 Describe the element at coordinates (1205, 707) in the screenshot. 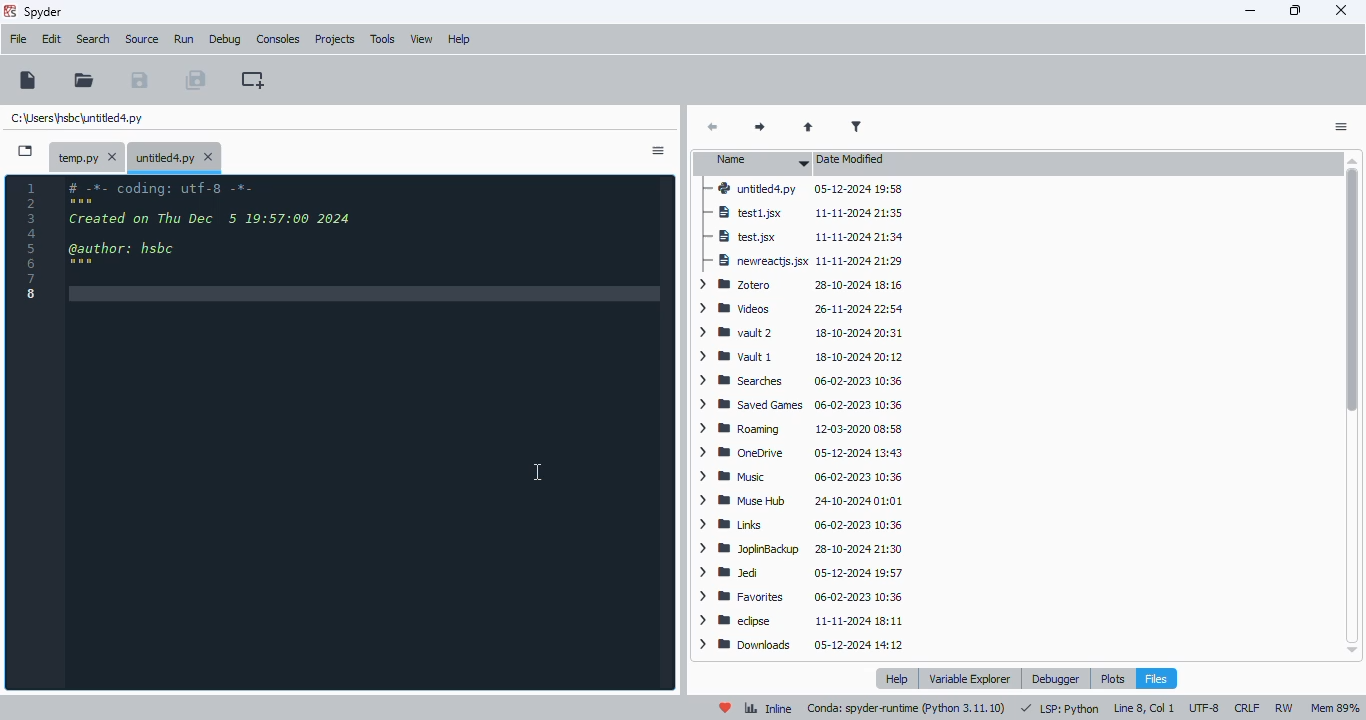

I see `UTF-8` at that location.